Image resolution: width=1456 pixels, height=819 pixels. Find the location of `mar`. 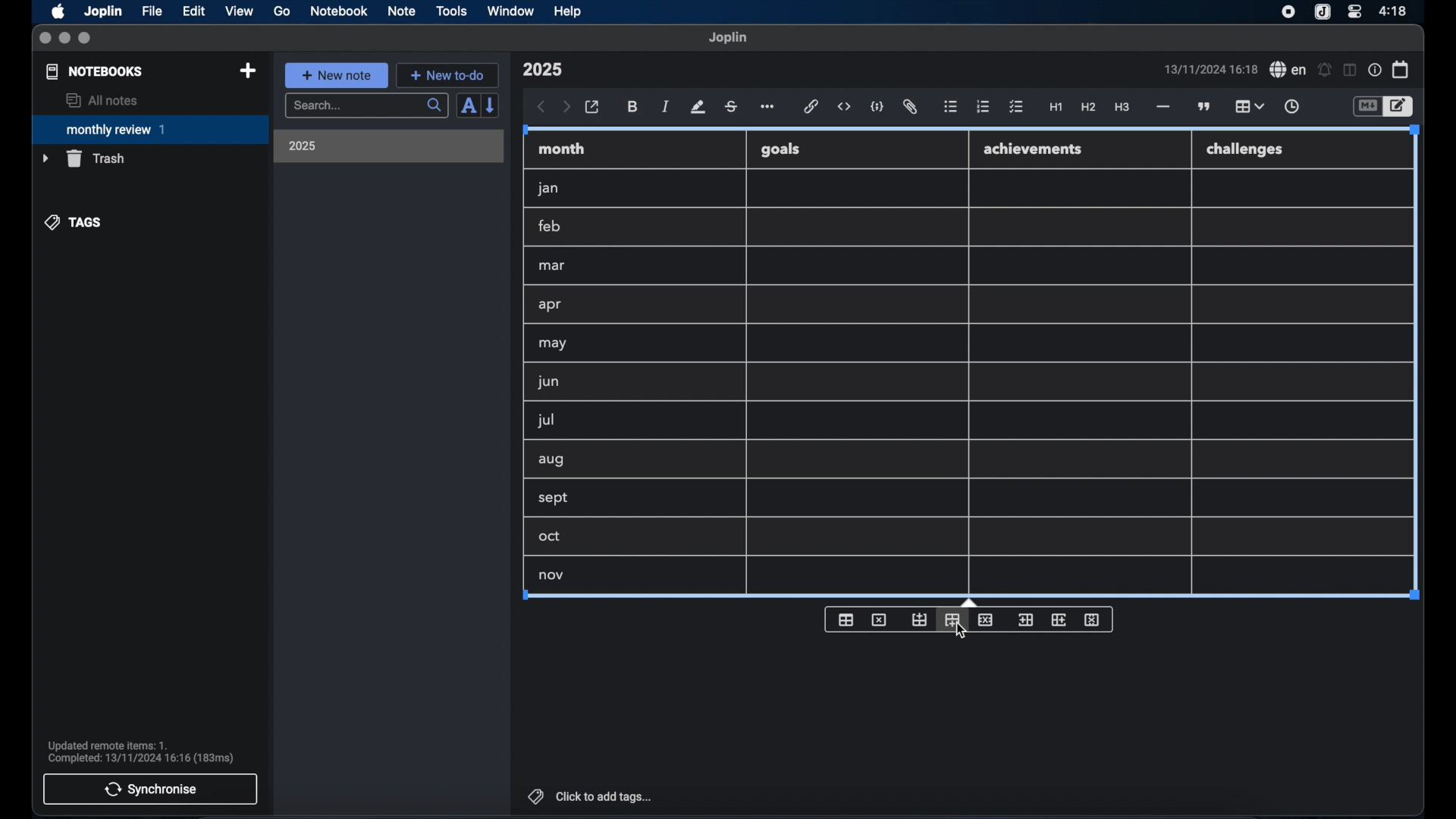

mar is located at coordinates (553, 266).